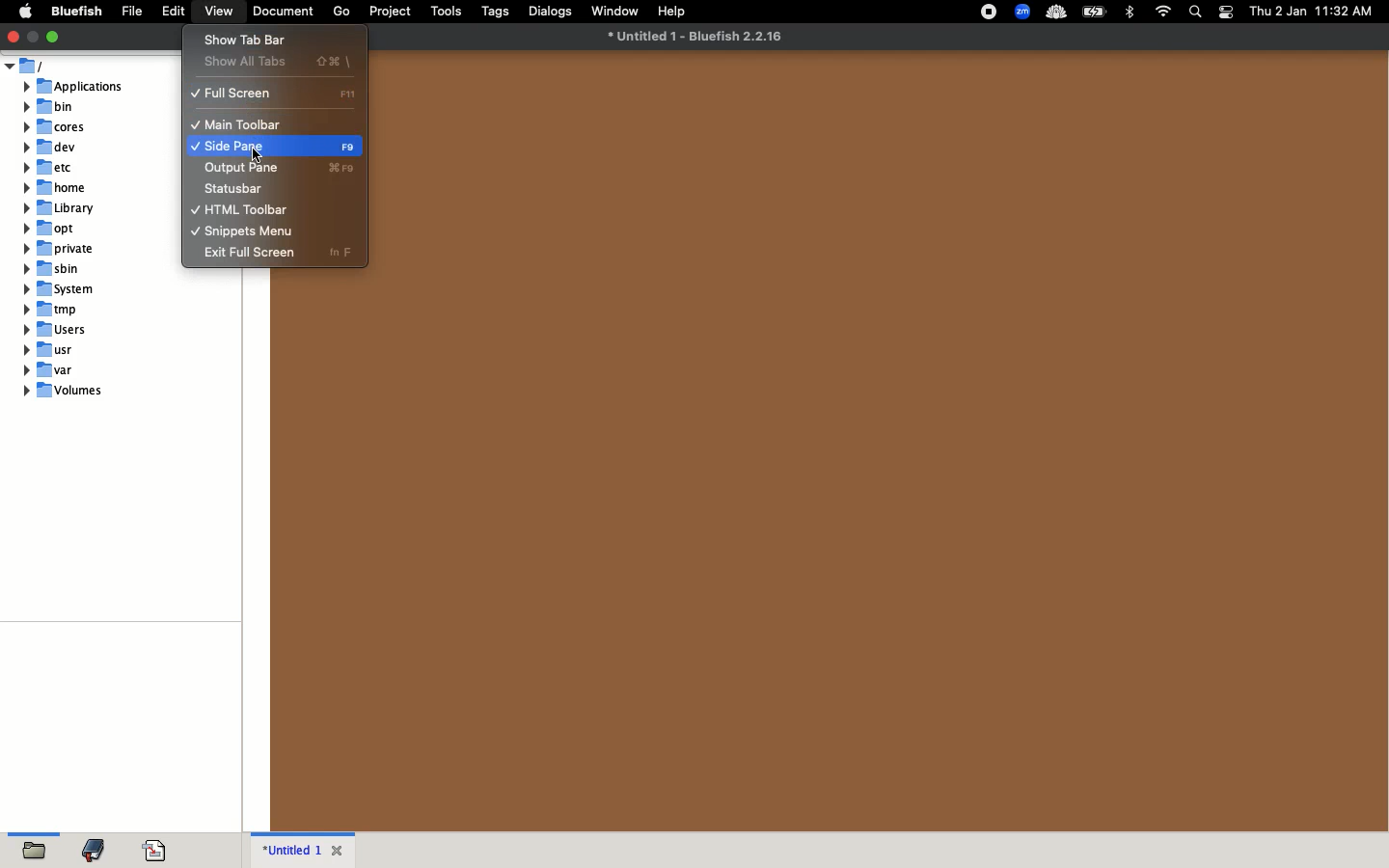  What do you see at coordinates (280, 62) in the screenshot?
I see `show all tabs` at bounding box center [280, 62].